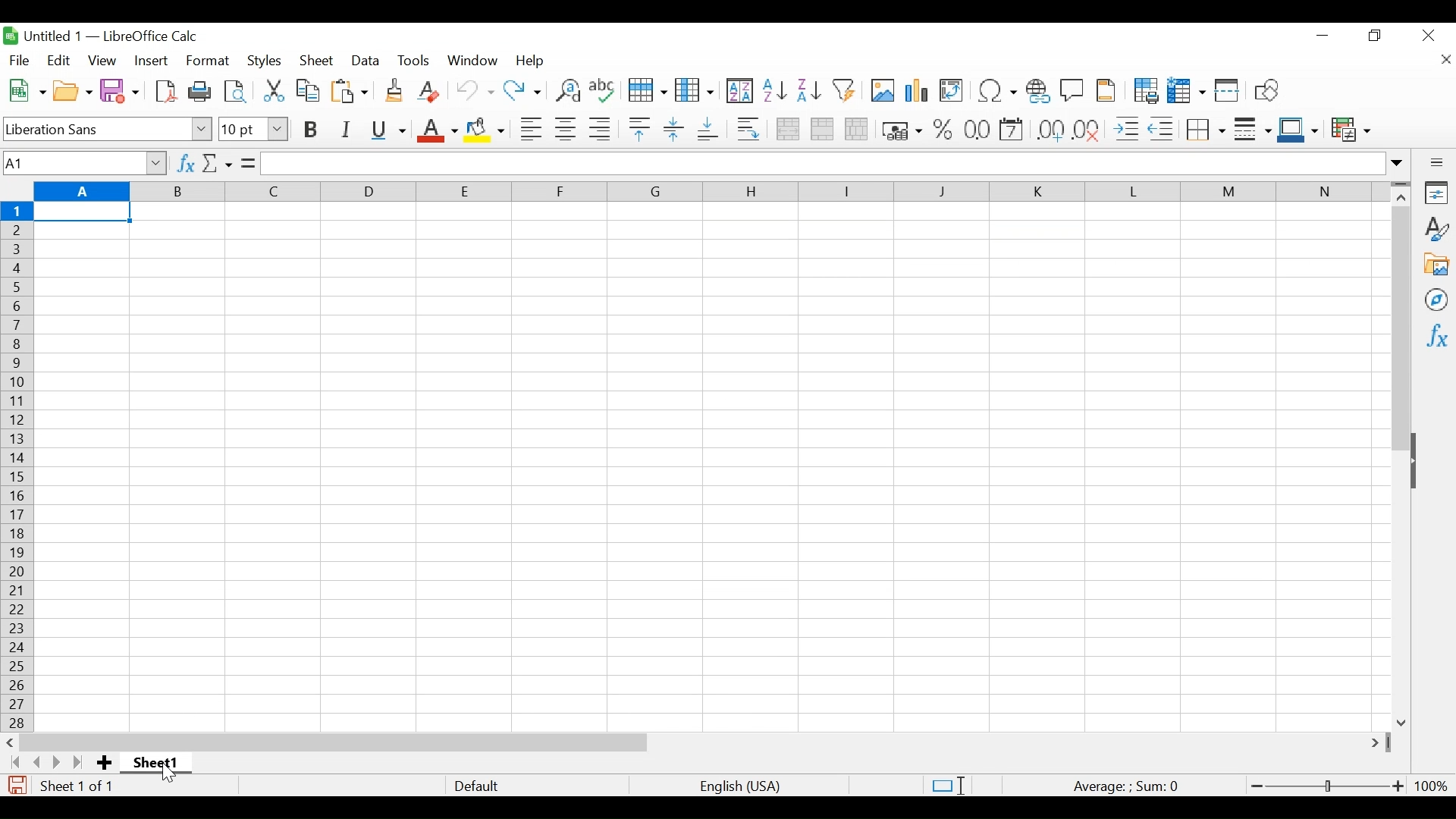 The height and width of the screenshot is (819, 1456). I want to click on Format as currency, so click(900, 130).